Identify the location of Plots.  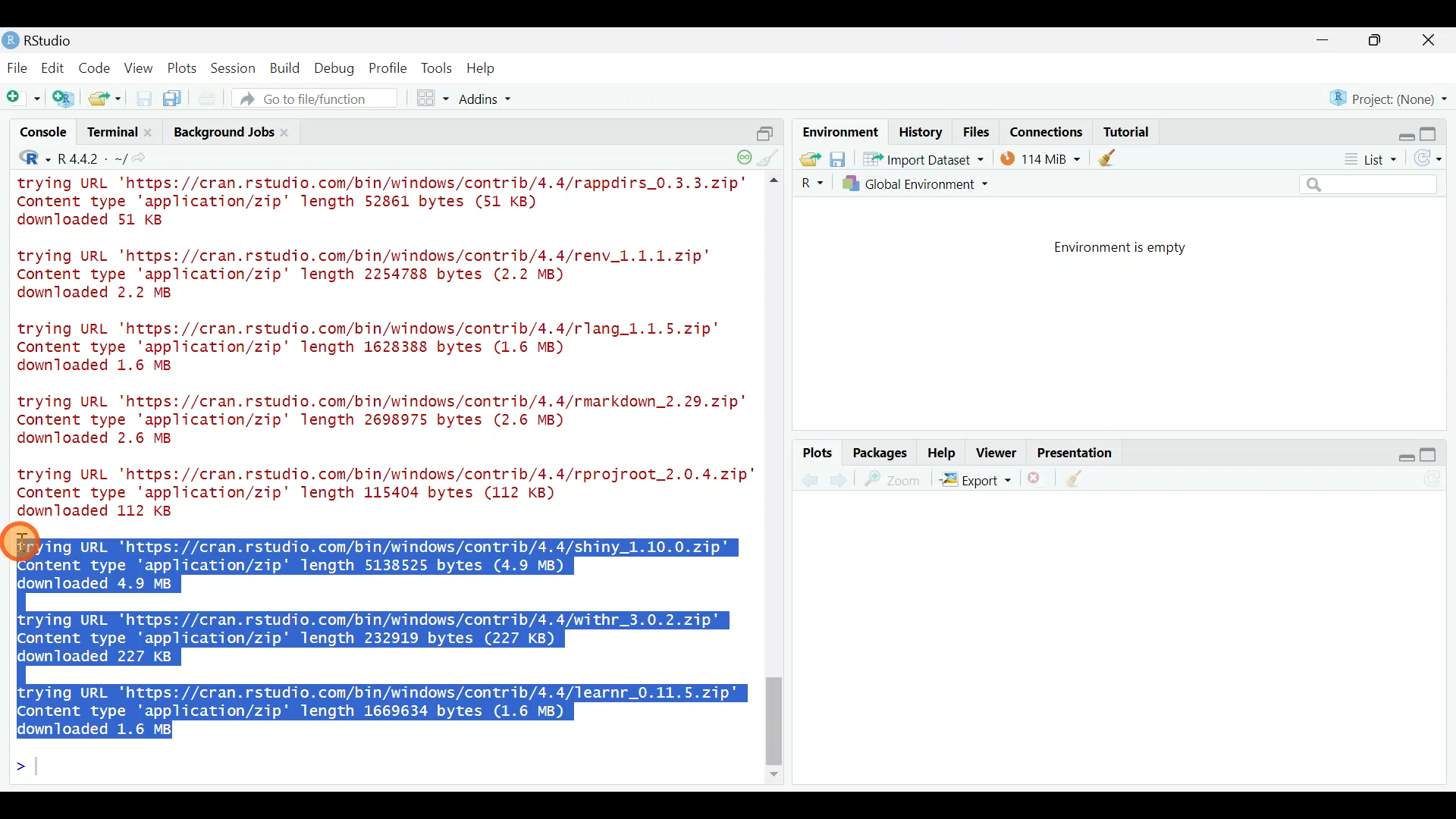
(183, 65).